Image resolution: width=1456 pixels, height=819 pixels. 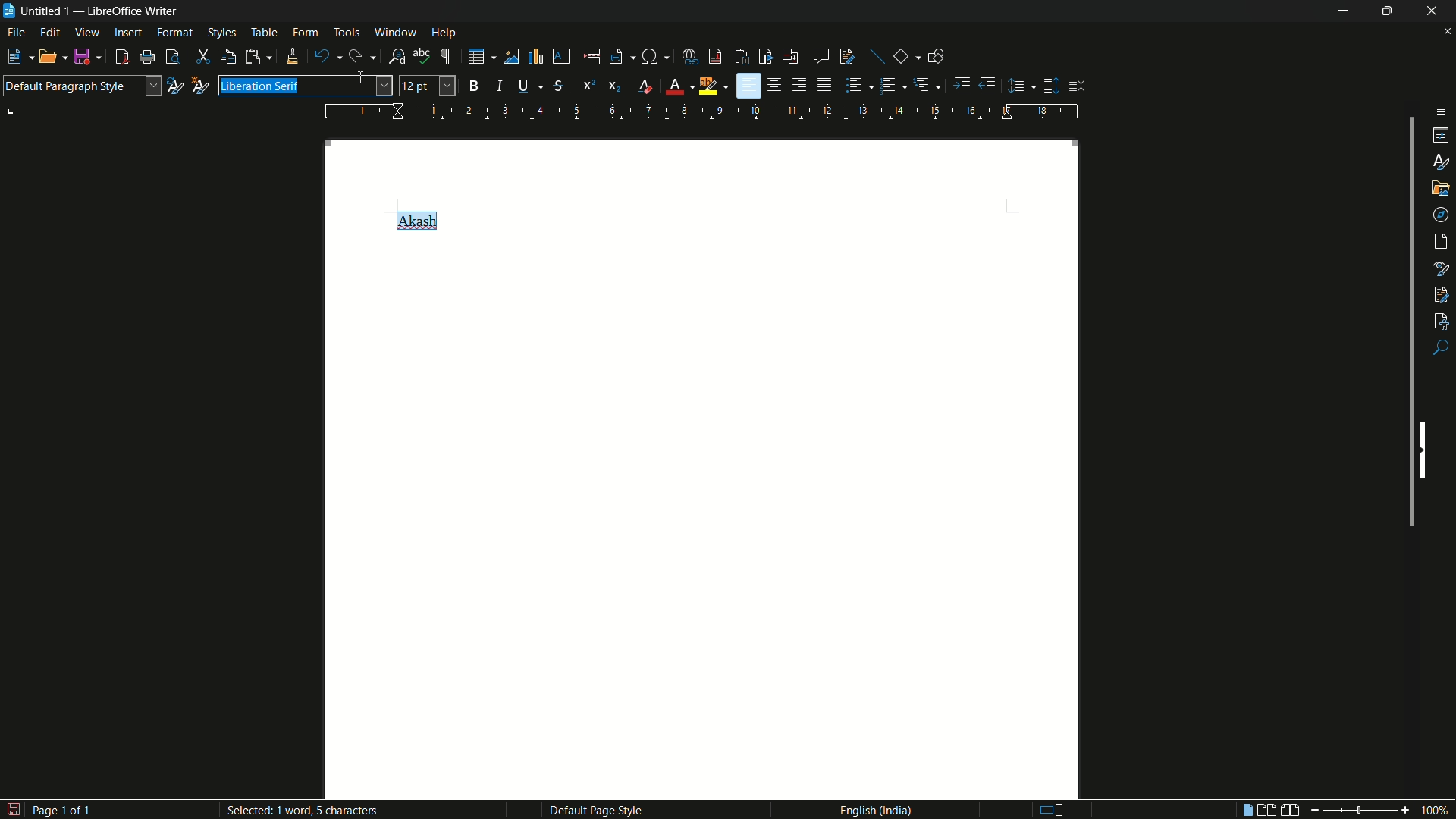 What do you see at coordinates (128, 32) in the screenshot?
I see `insert menu` at bounding box center [128, 32].